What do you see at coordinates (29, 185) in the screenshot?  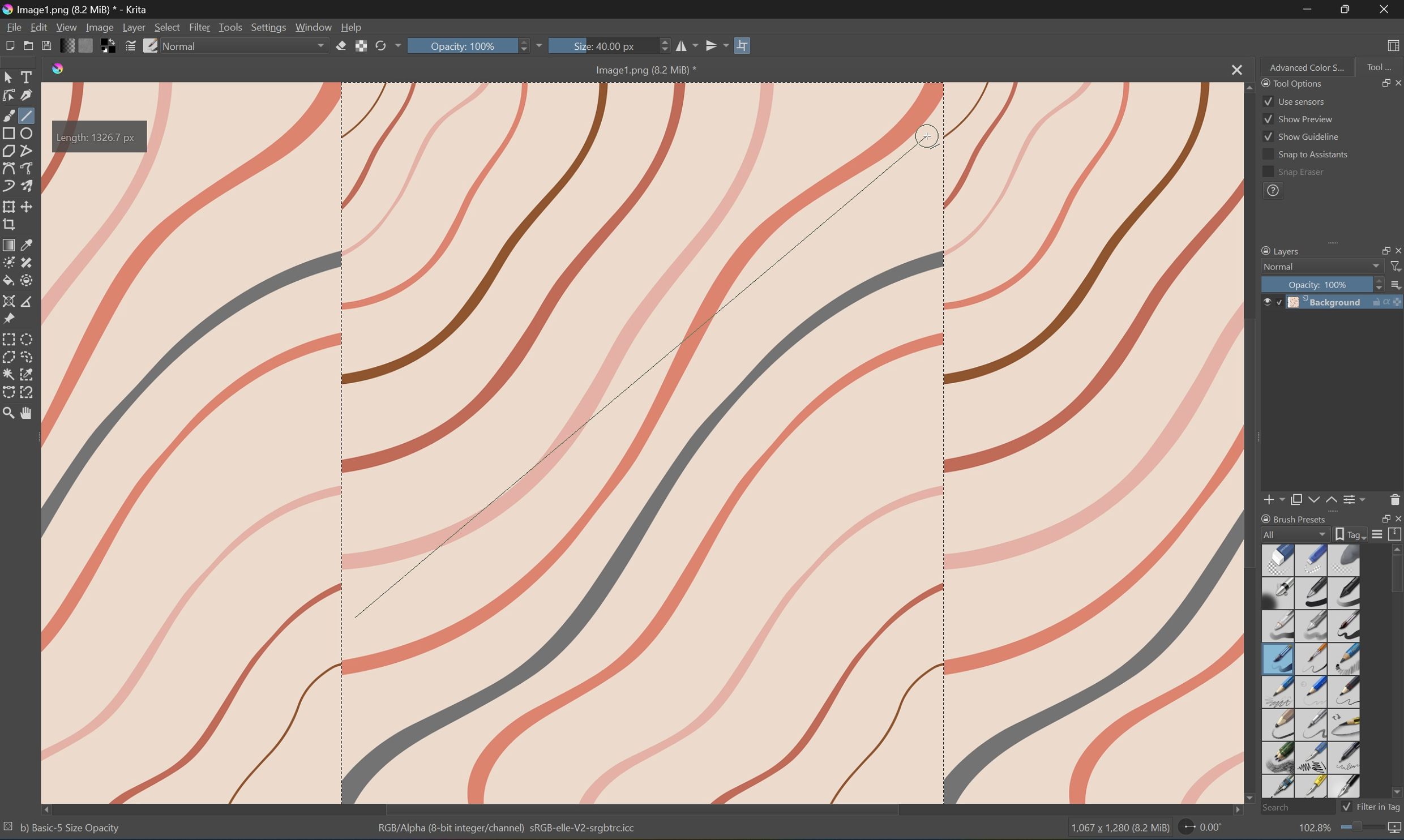 I see `Multibrush tool` at bounding box center [29, 185].